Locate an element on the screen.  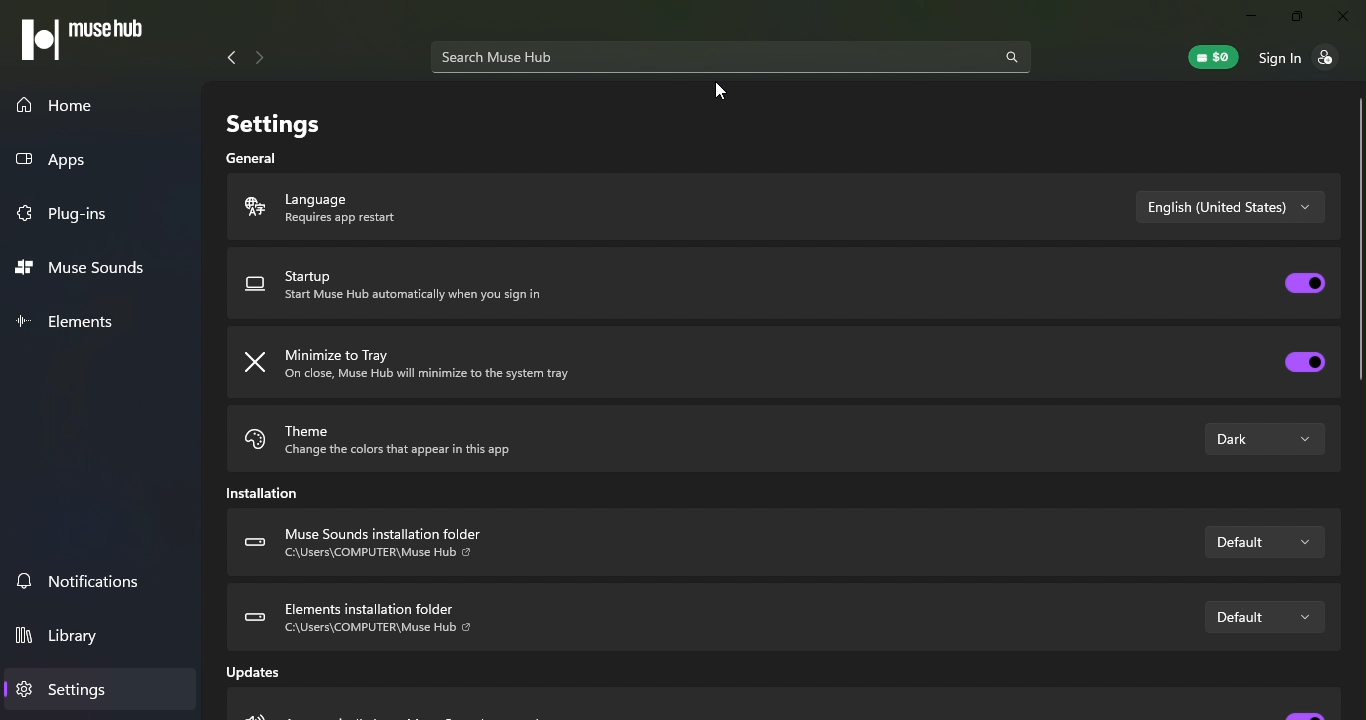
Elements is located at coordinates (69, 319).